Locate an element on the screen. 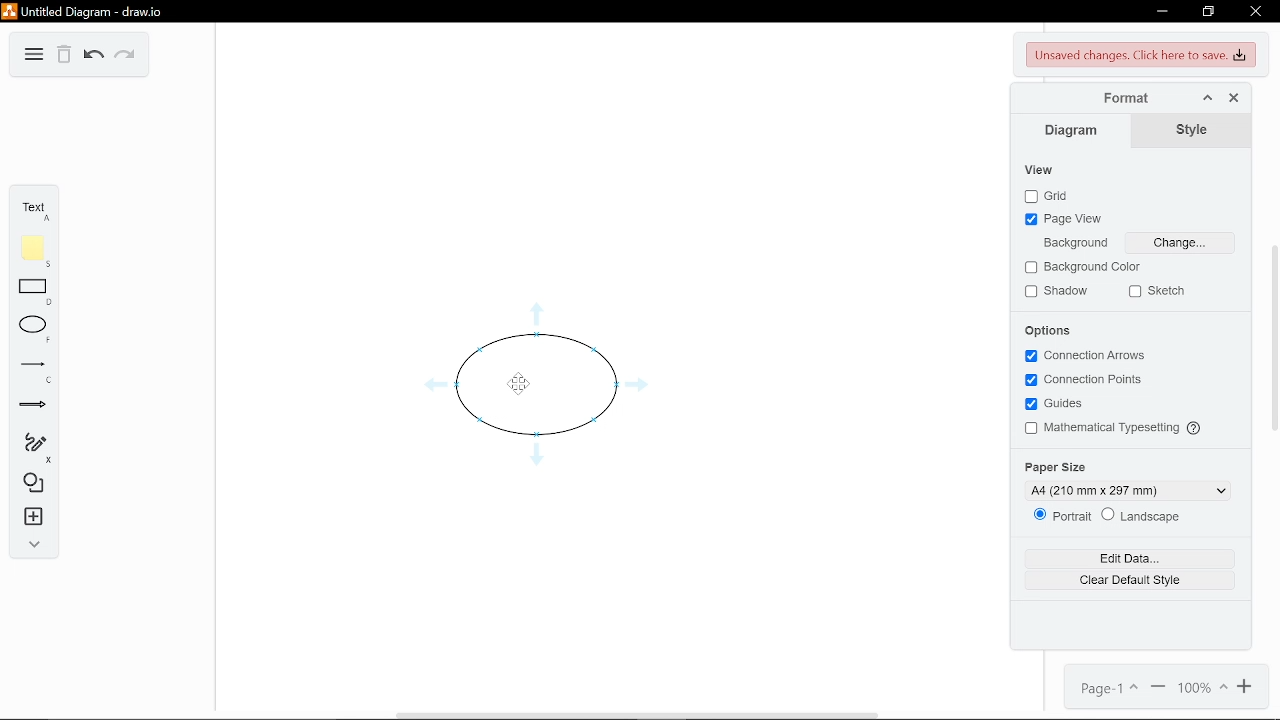  Add text is located at coordinates (34, 207).